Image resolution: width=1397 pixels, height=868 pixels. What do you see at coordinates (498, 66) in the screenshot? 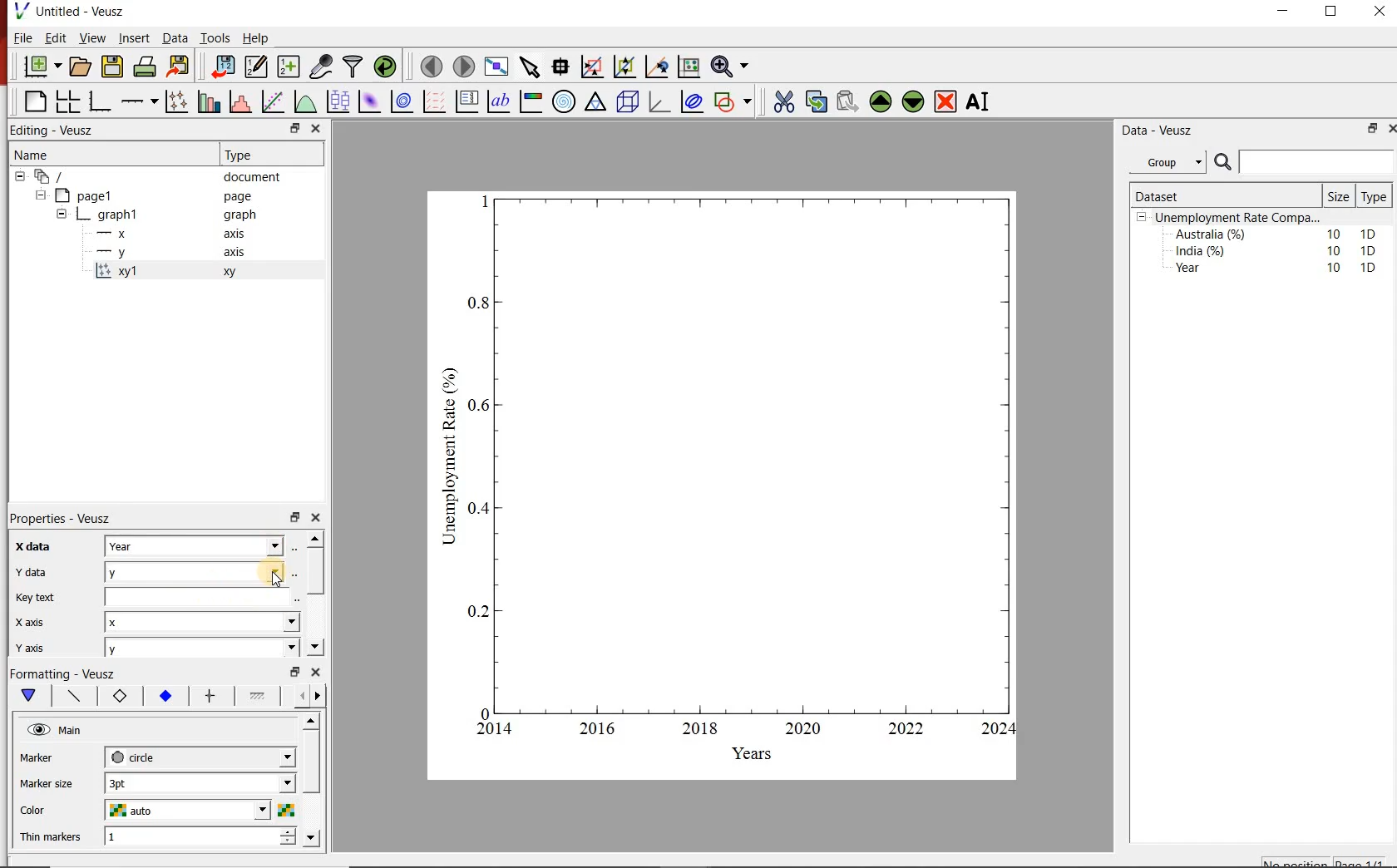
I see `view plot on full screen` at bounding box center [498, 66].